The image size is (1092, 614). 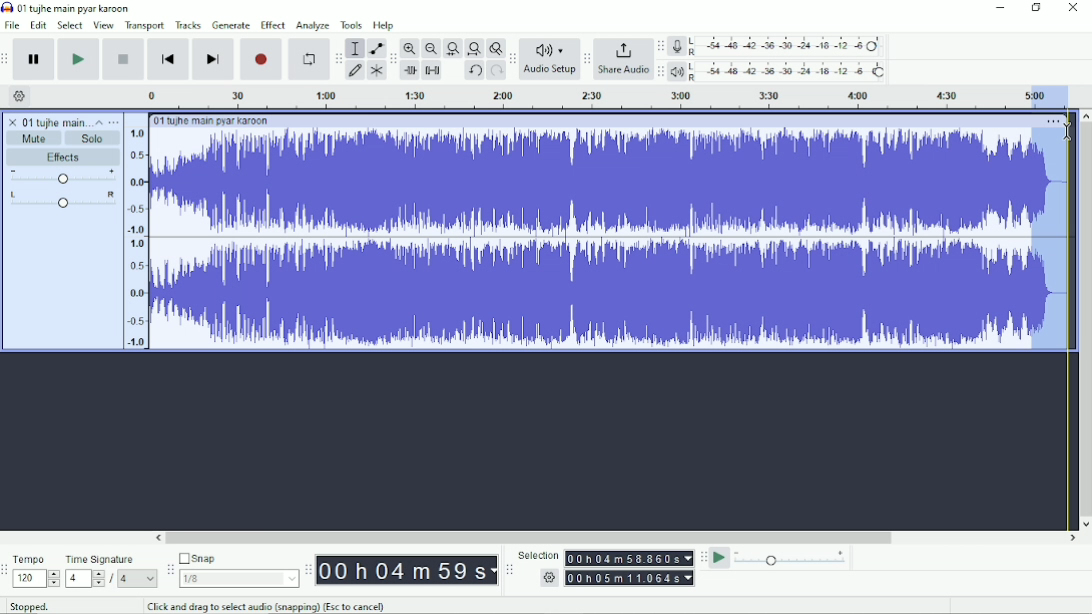 What do you see at coordinates (309, 570) in the screenshot?
I see `Audacity time toolbar` at bounding box center [309, 570].